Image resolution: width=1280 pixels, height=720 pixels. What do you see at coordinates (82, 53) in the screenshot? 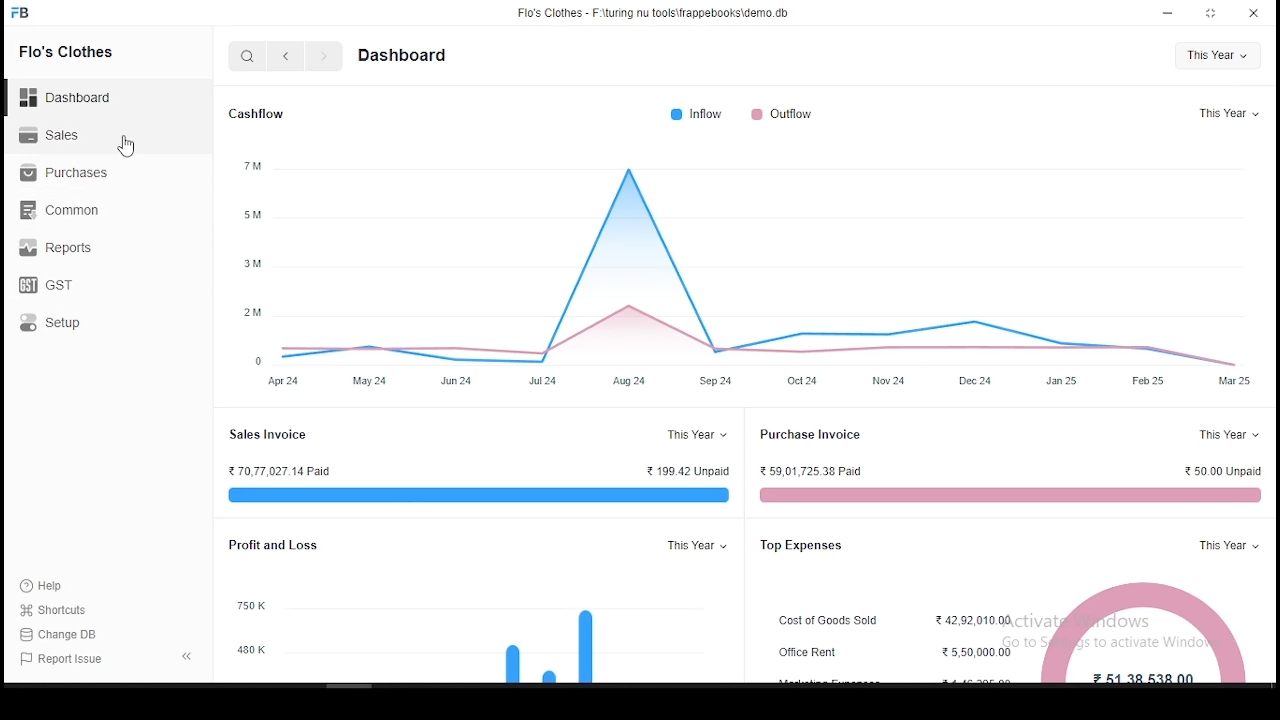
I see `Flo's clothes` at bounding box center [82, 53].